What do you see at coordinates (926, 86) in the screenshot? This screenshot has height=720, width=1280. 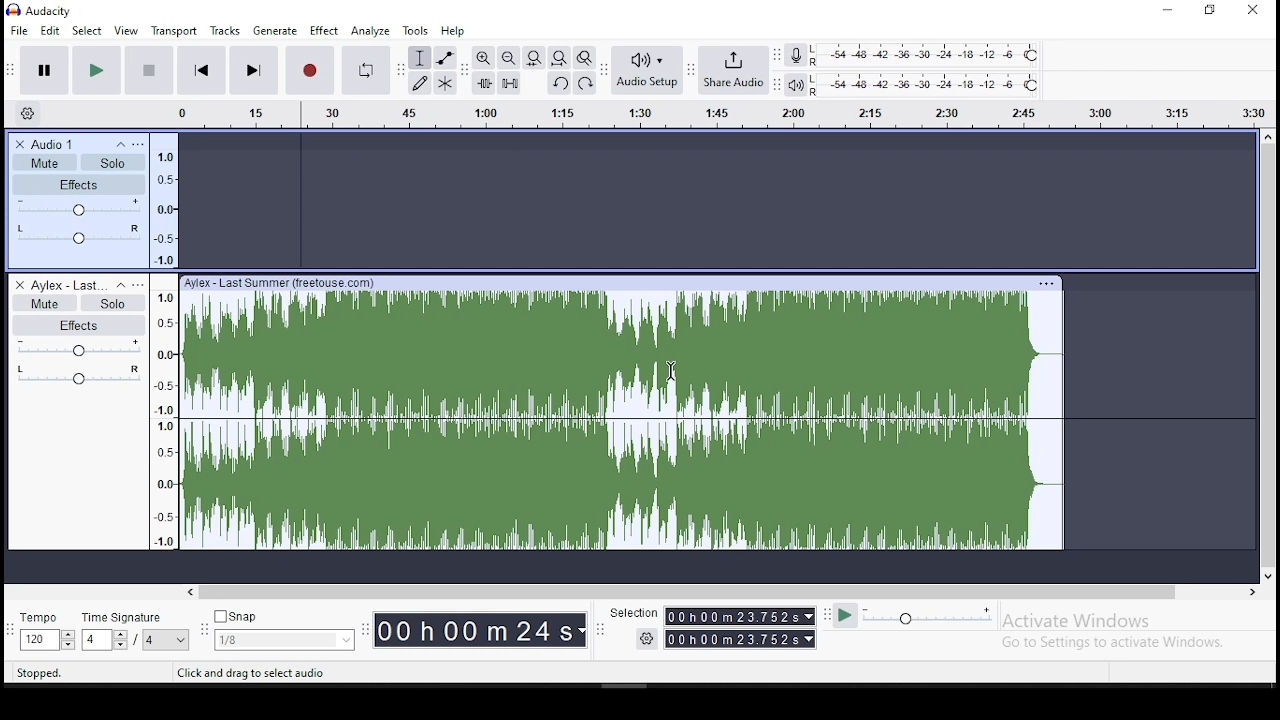 I see `playback meter` at bounding box center [926, 86].